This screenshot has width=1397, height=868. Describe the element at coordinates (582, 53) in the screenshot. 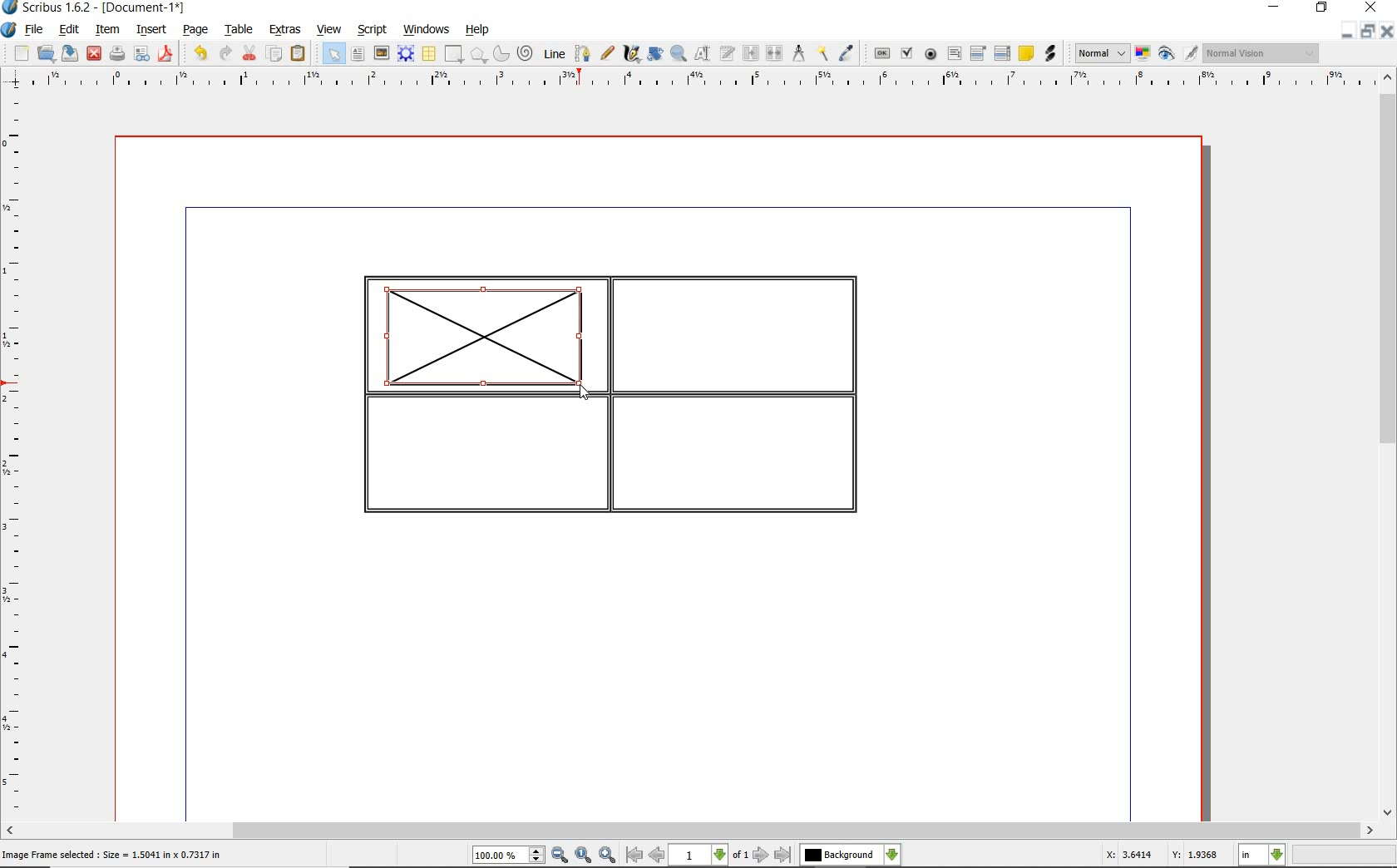

I see `bezier curve` at that location.